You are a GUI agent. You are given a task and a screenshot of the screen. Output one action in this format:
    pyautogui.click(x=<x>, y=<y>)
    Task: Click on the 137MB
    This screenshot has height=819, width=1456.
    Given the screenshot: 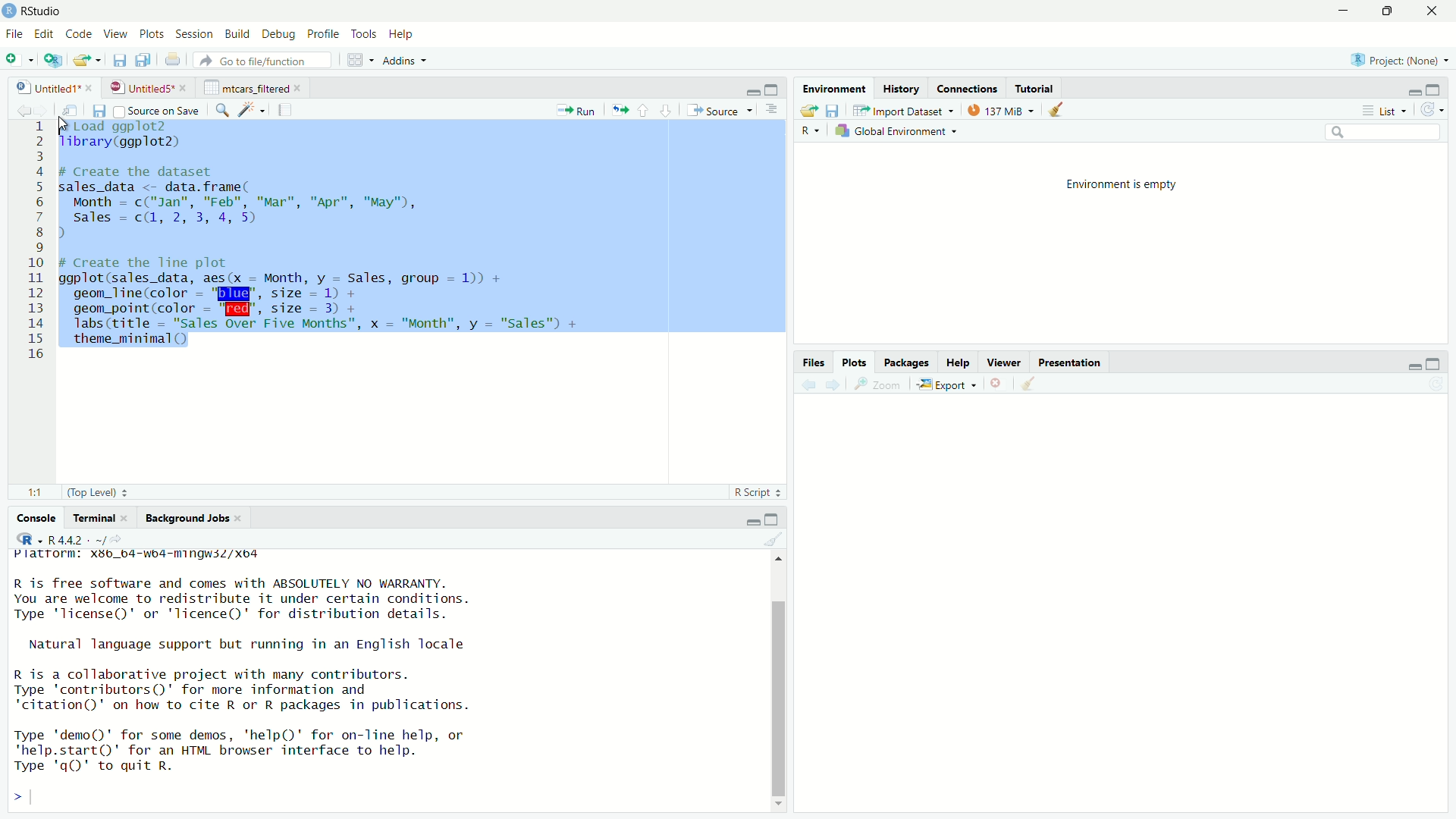 What is the action you would take?
    pyautogui.click(x=998, y=110)
    